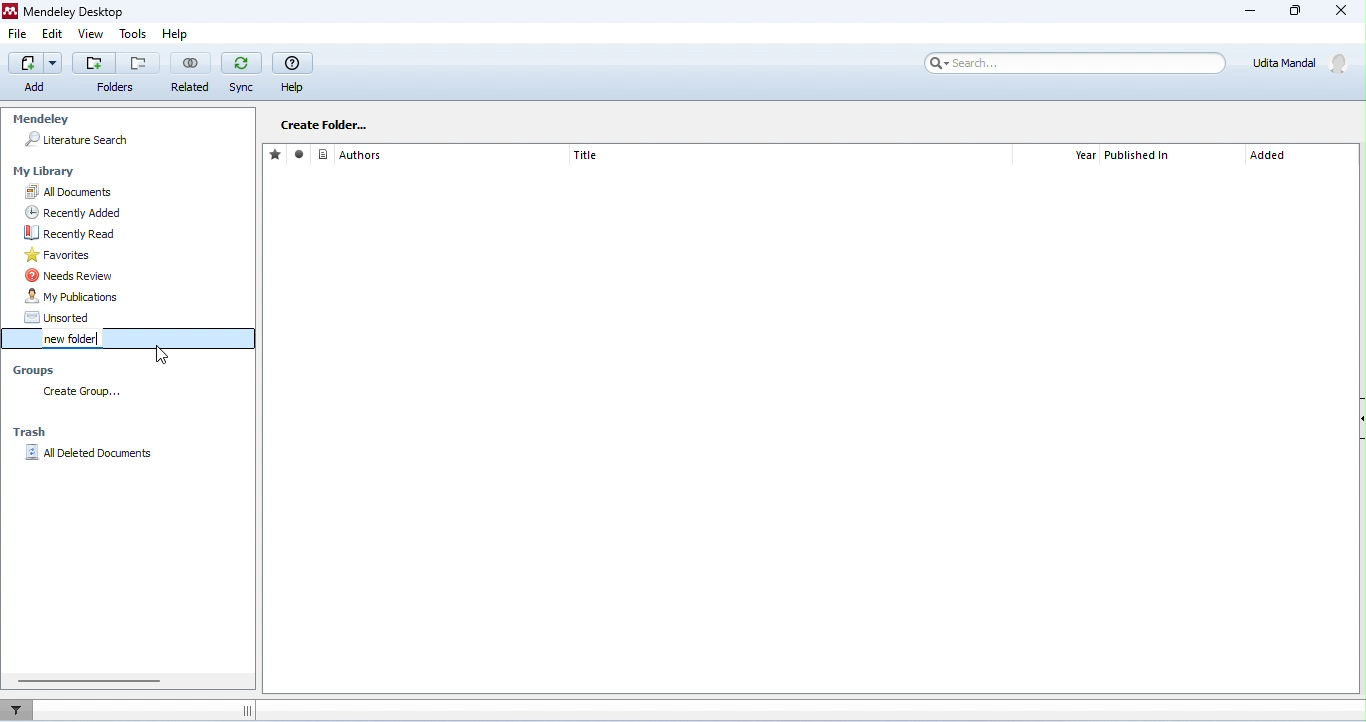  Describe the element at coordinates (586, 155) in the screenshot. I see `title` at that location.